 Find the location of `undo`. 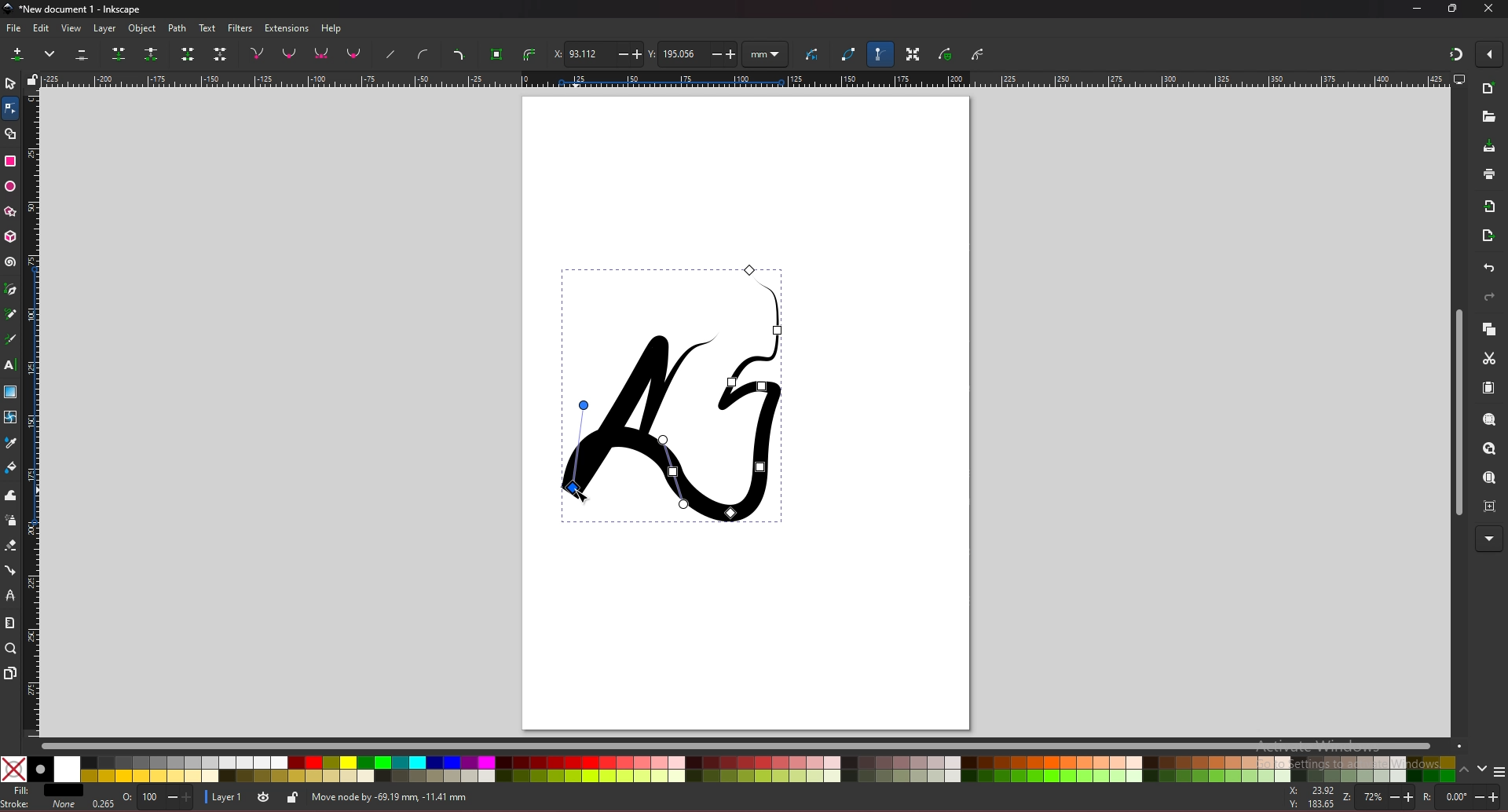

undo is located at coordinates (1490, 268).